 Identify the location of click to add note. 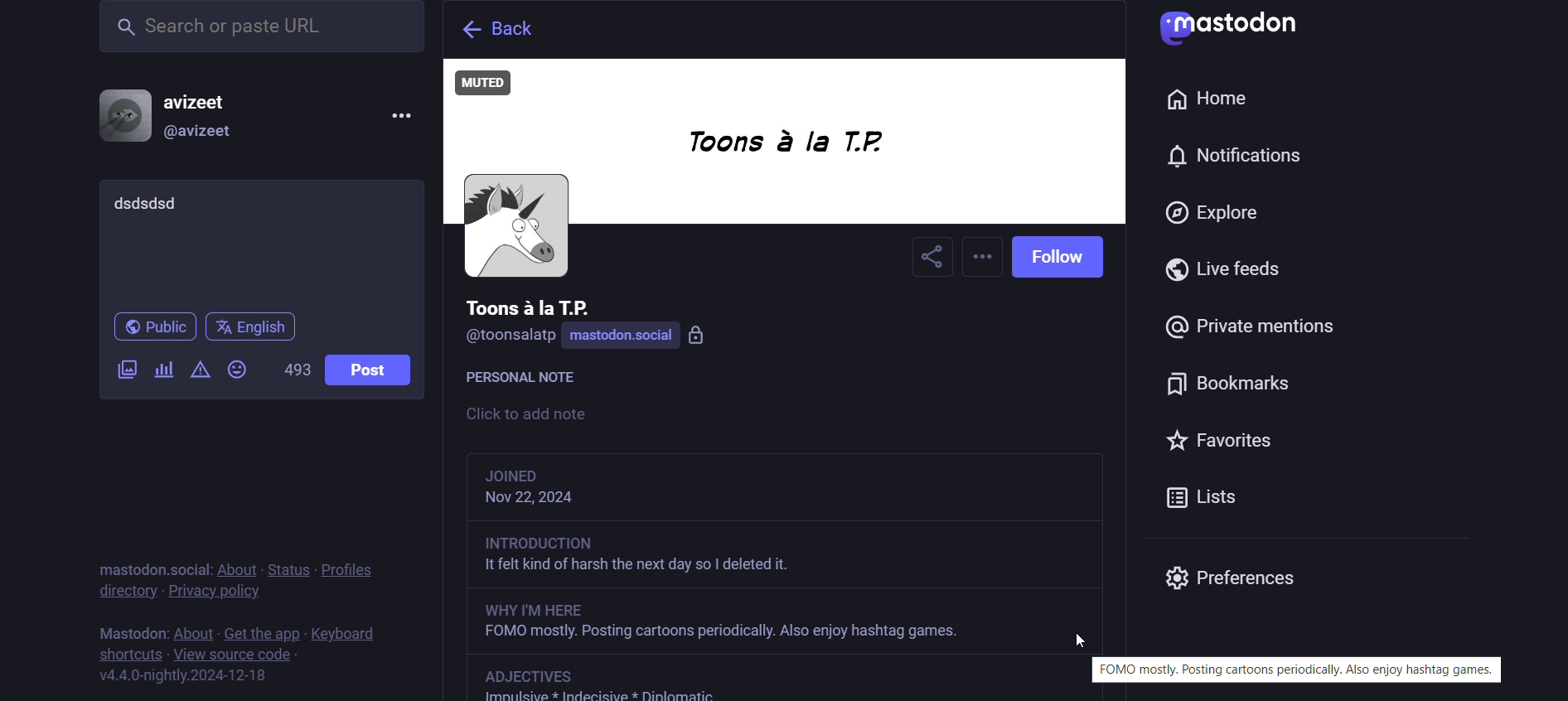
(569, 416).